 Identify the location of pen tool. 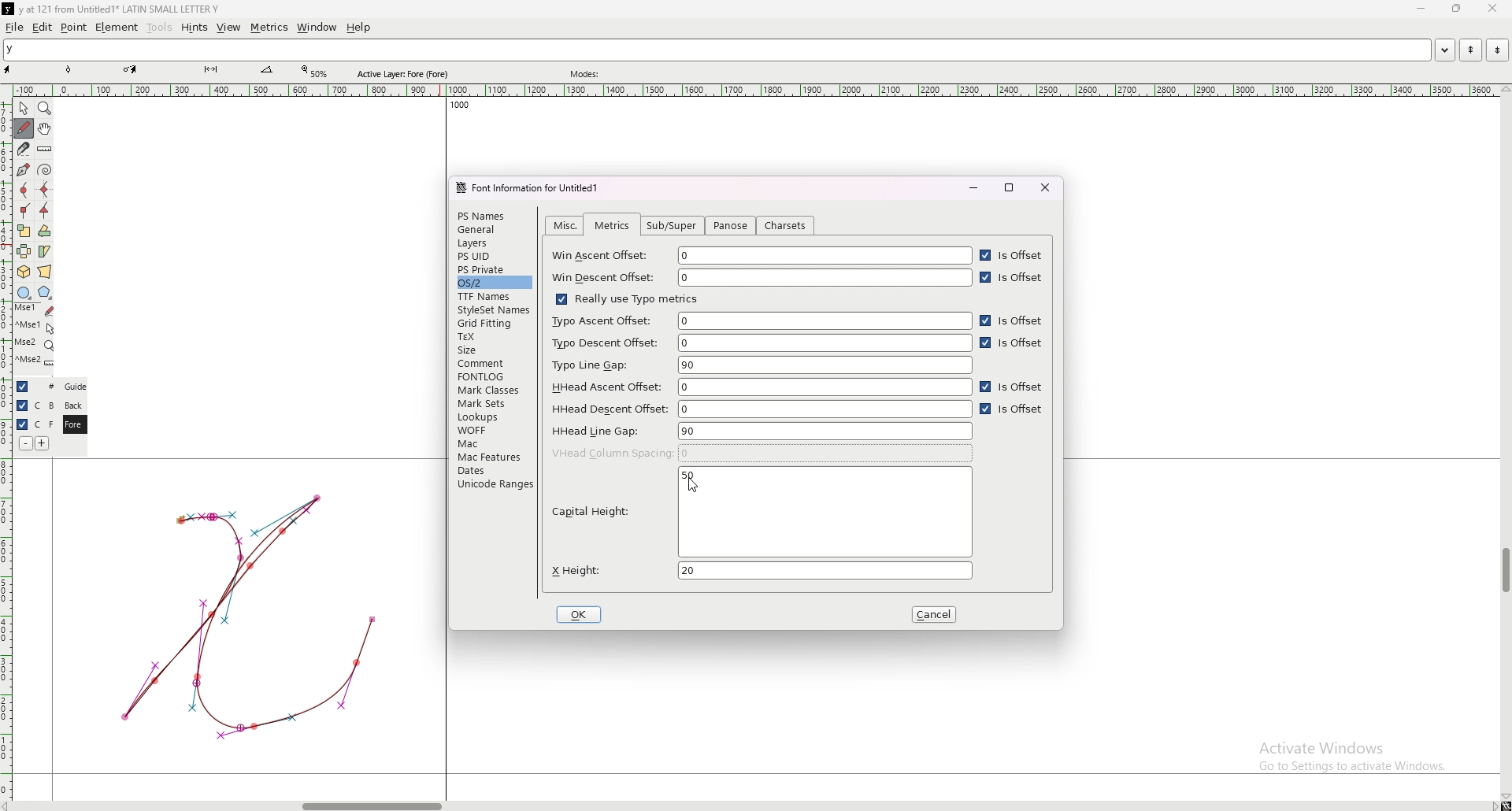
(130, 69).